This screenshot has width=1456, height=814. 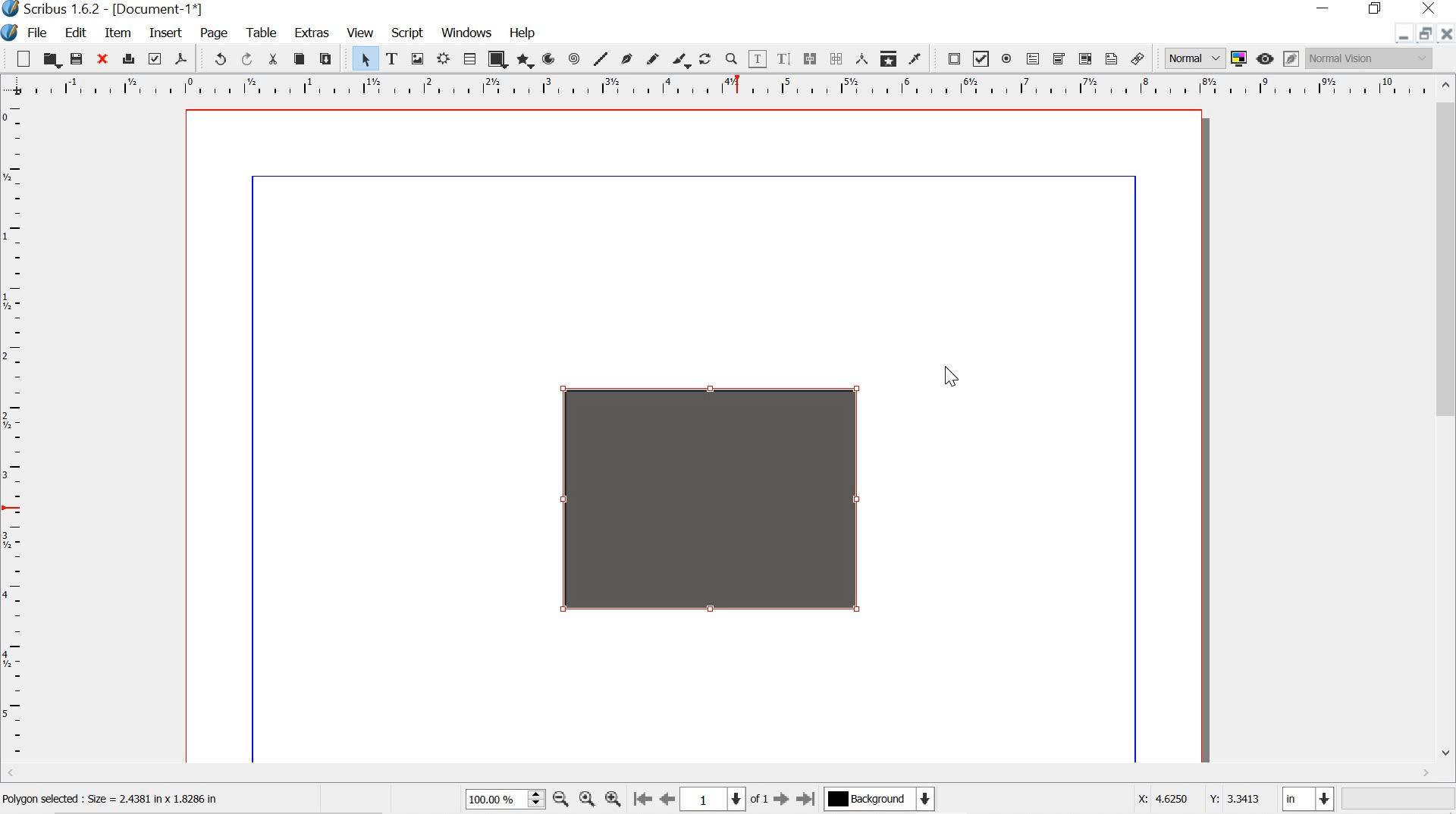 I want to click on item, so click(x=118, y=33).